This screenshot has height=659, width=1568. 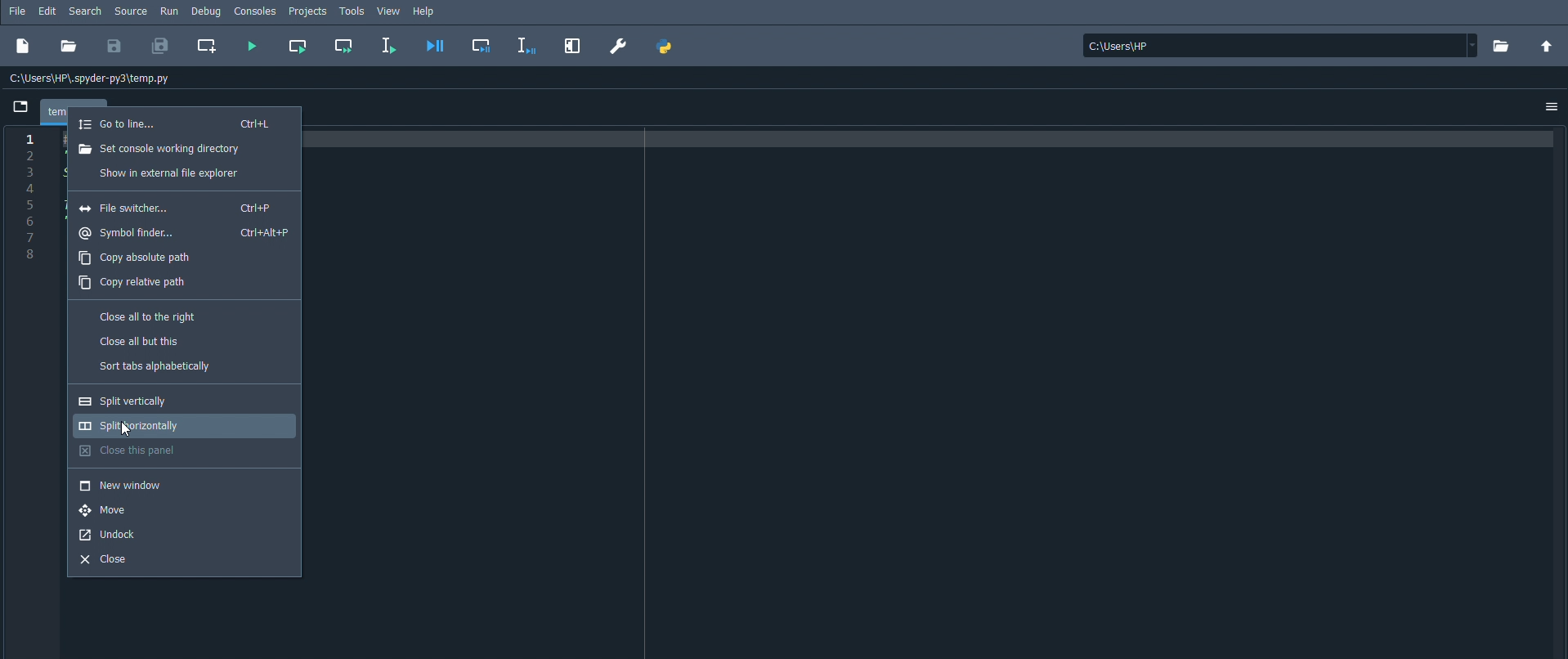 What do you see at coordinates (576, 47) in the screenshot?
I see `Maximize current pane` at bounding box center [576, 47].